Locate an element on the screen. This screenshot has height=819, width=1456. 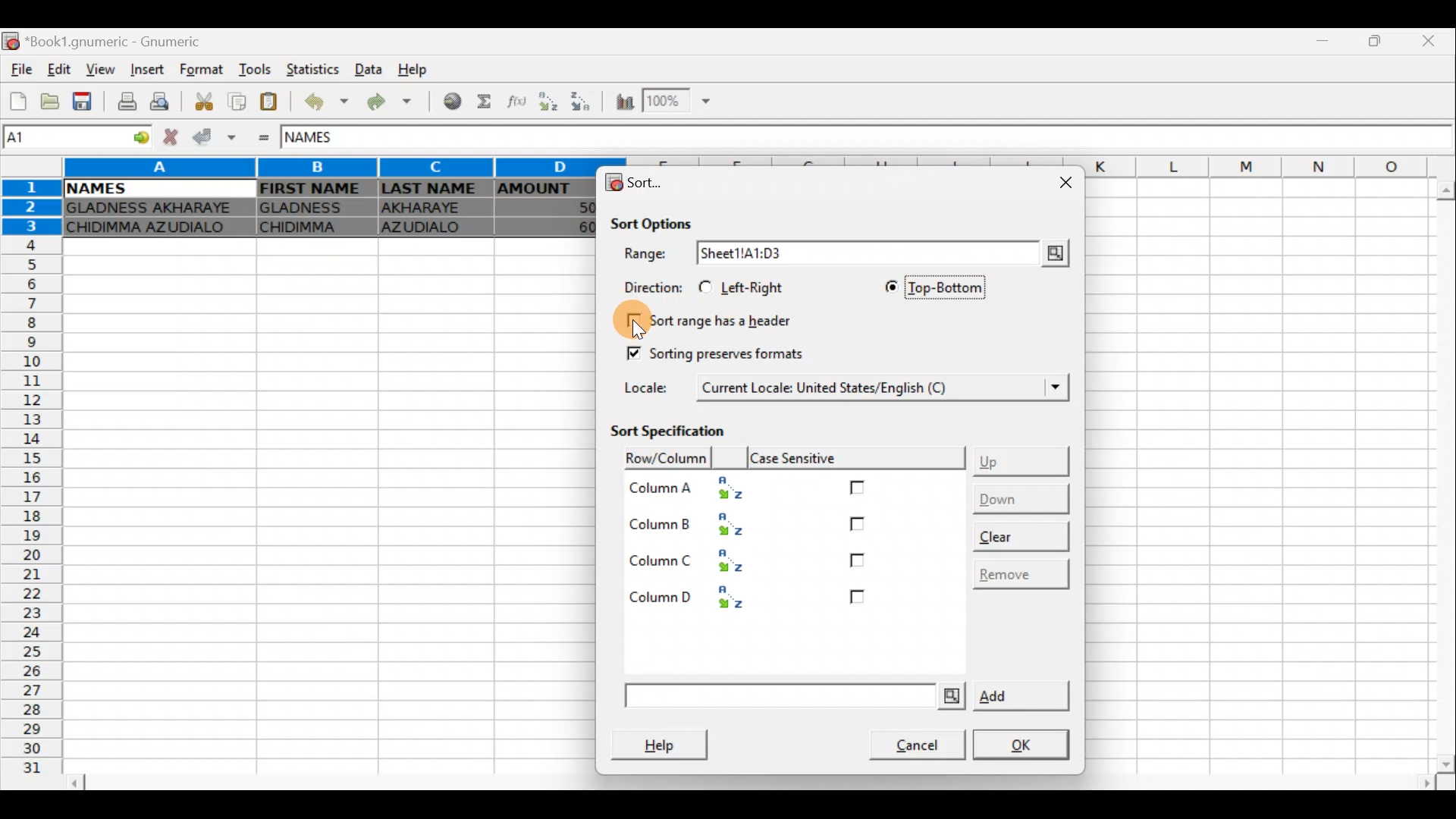
NAMES is located at coordinates (324, 139).